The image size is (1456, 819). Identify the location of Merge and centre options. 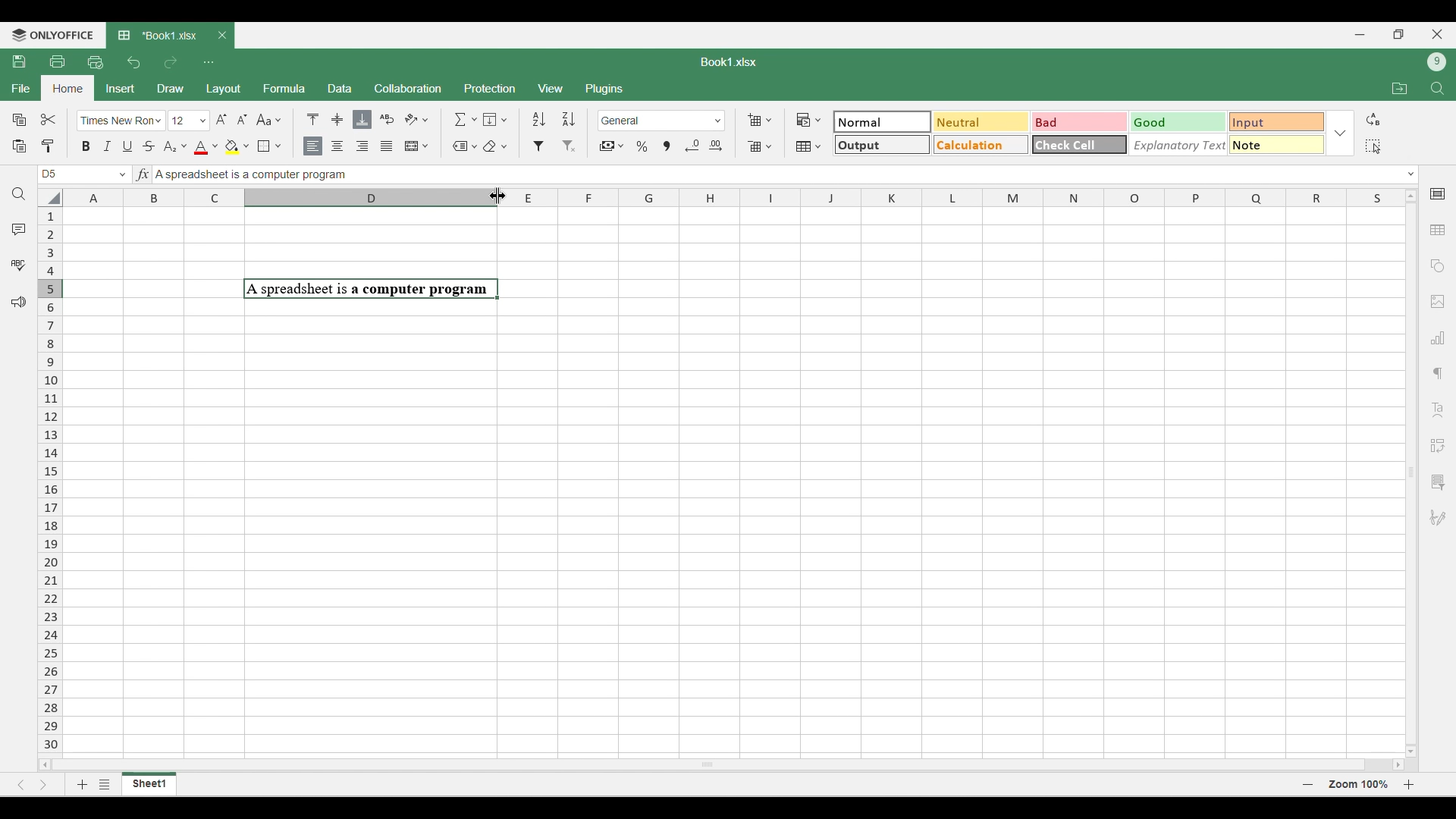
(417, 146).